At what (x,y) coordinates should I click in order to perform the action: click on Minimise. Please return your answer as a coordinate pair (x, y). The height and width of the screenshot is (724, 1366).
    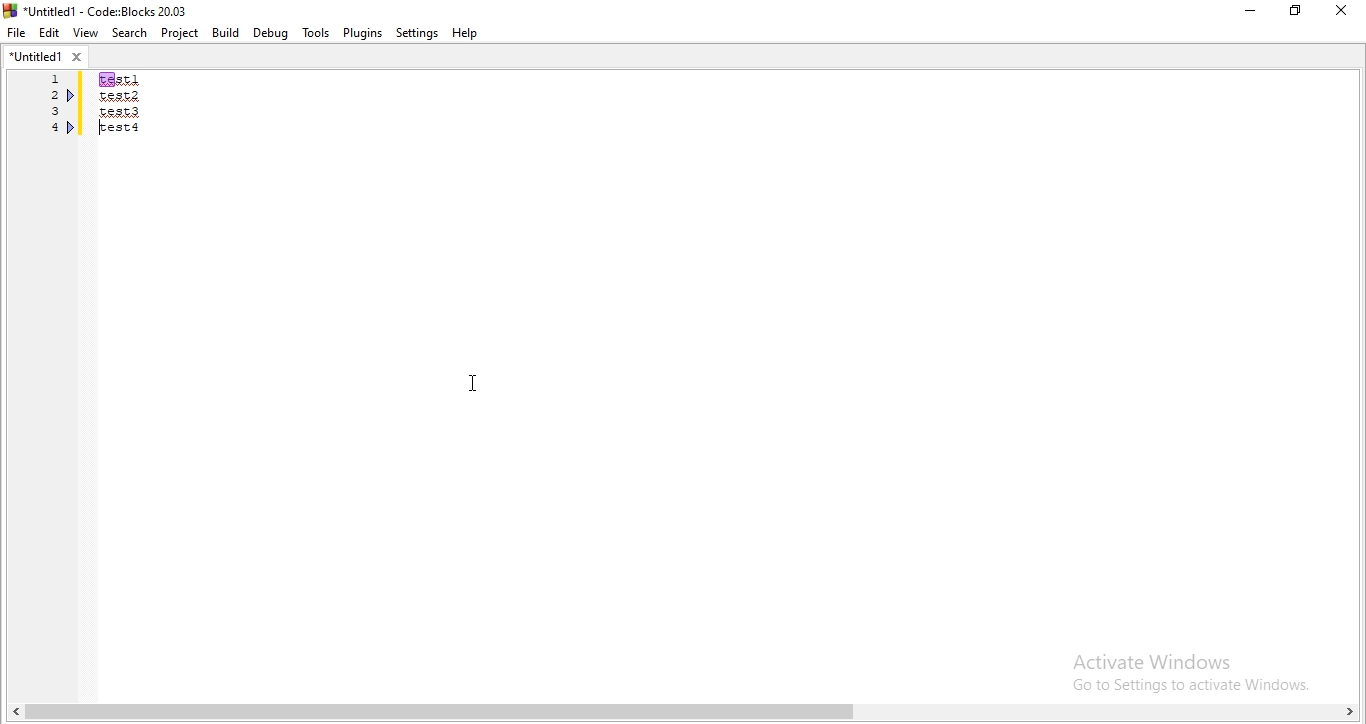
    Looking at the image, I should click on (1248, 14).